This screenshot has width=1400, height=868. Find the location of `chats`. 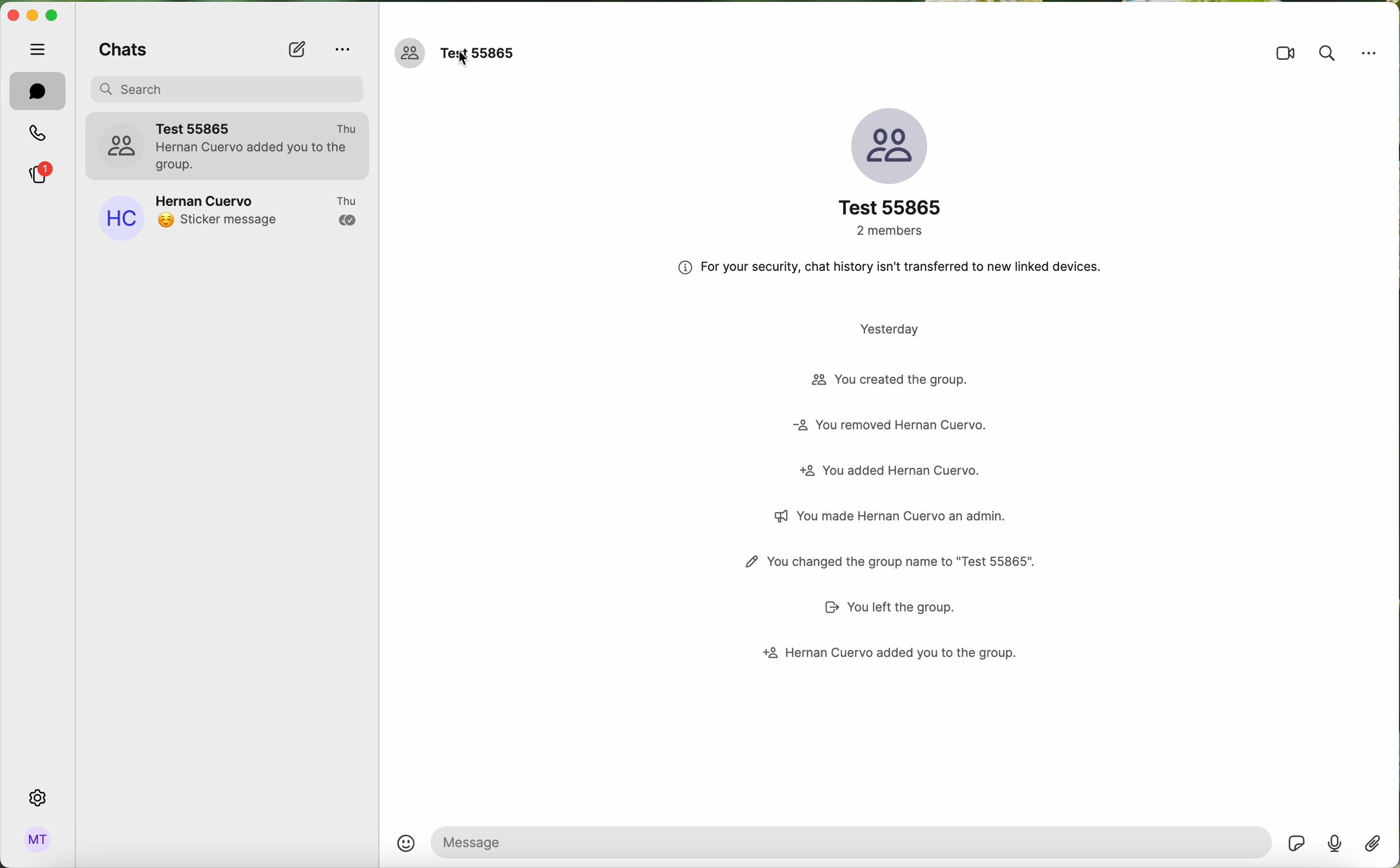

chats is located at coordinates (37, 91).